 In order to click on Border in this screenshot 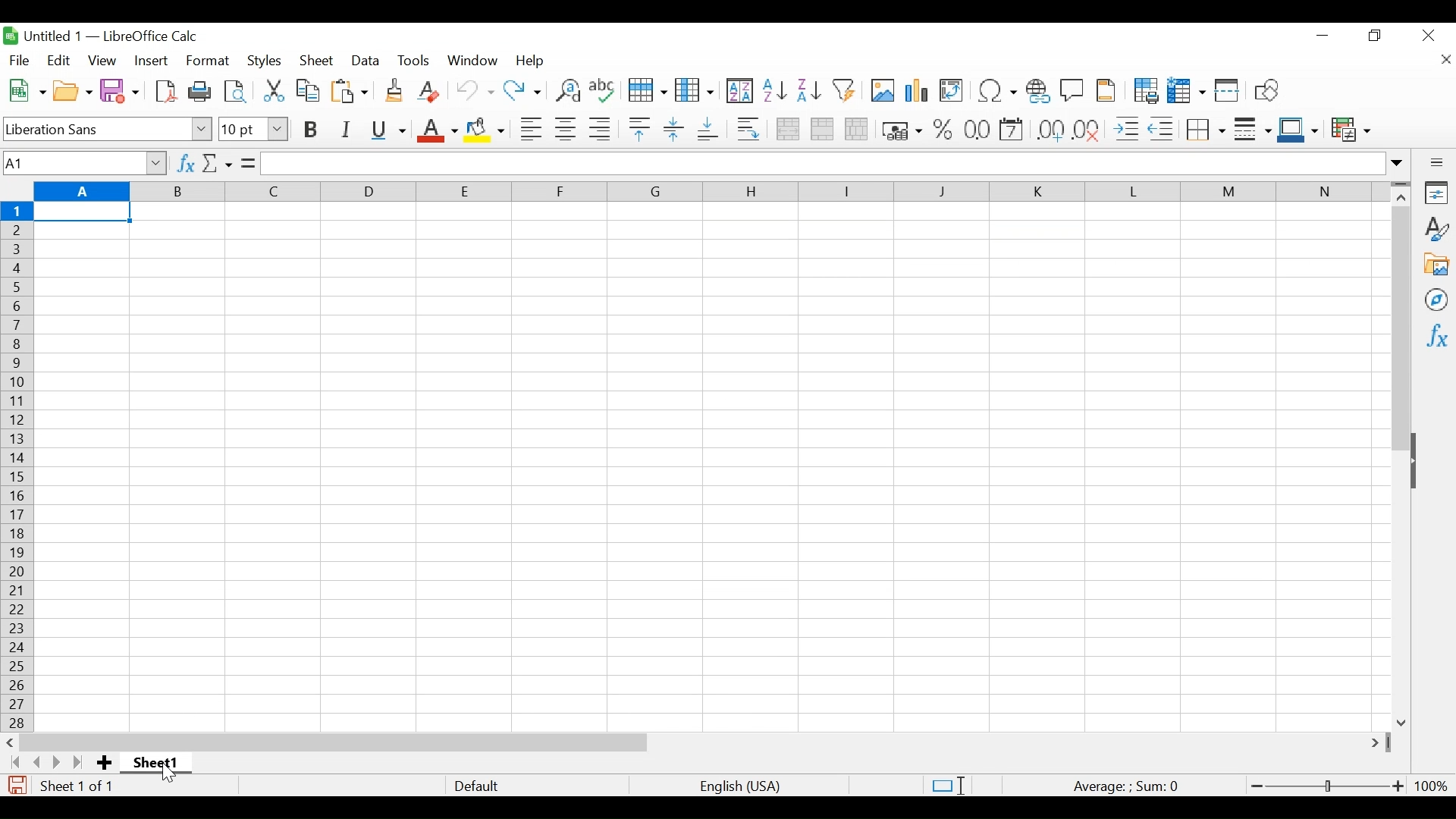, I will do `click(1205, 129)`.